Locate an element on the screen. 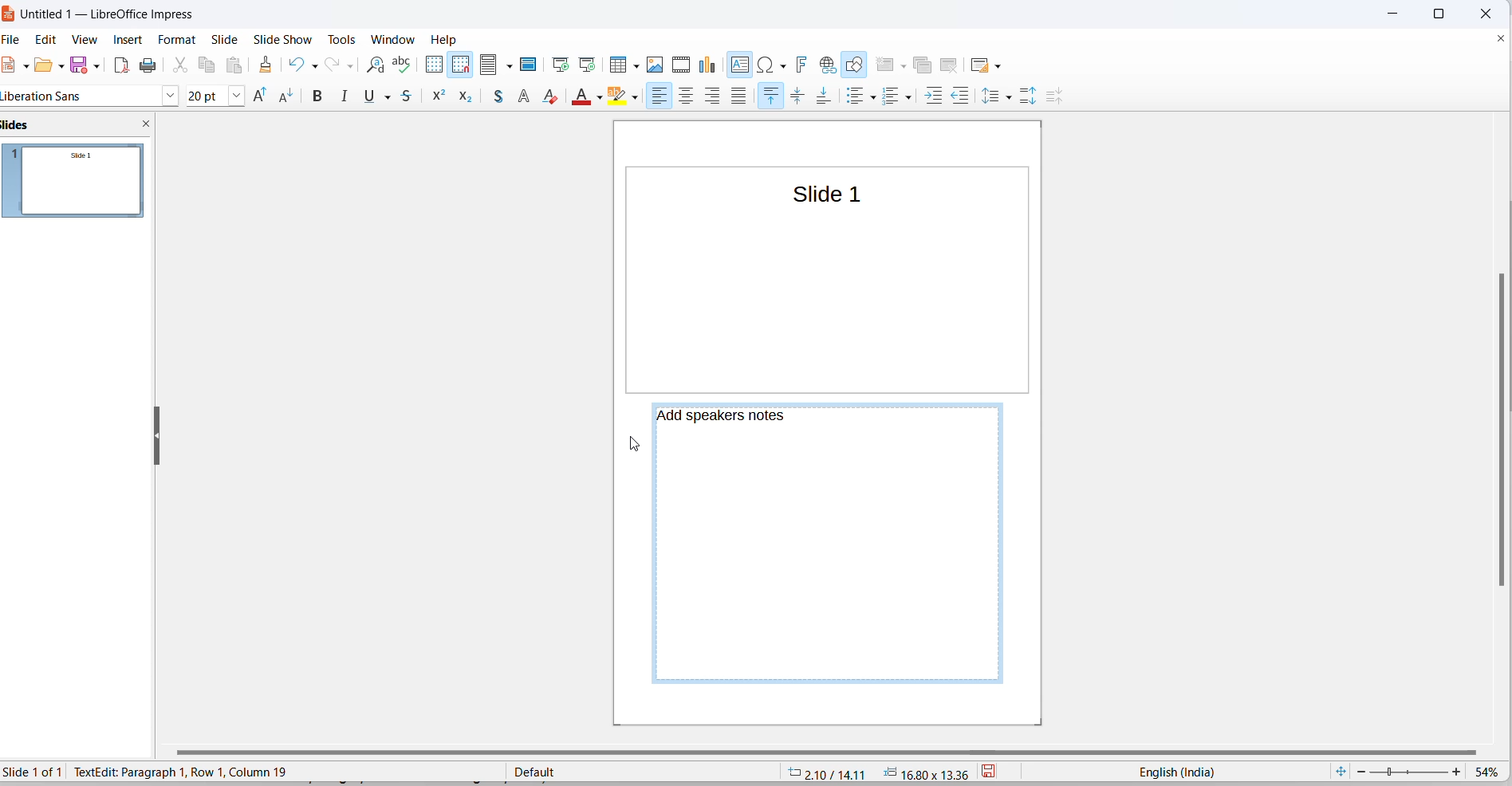 Image resolution: width=1512 pixels, height=786 pixels. callout shapes options is located at coordinates (498, 99).